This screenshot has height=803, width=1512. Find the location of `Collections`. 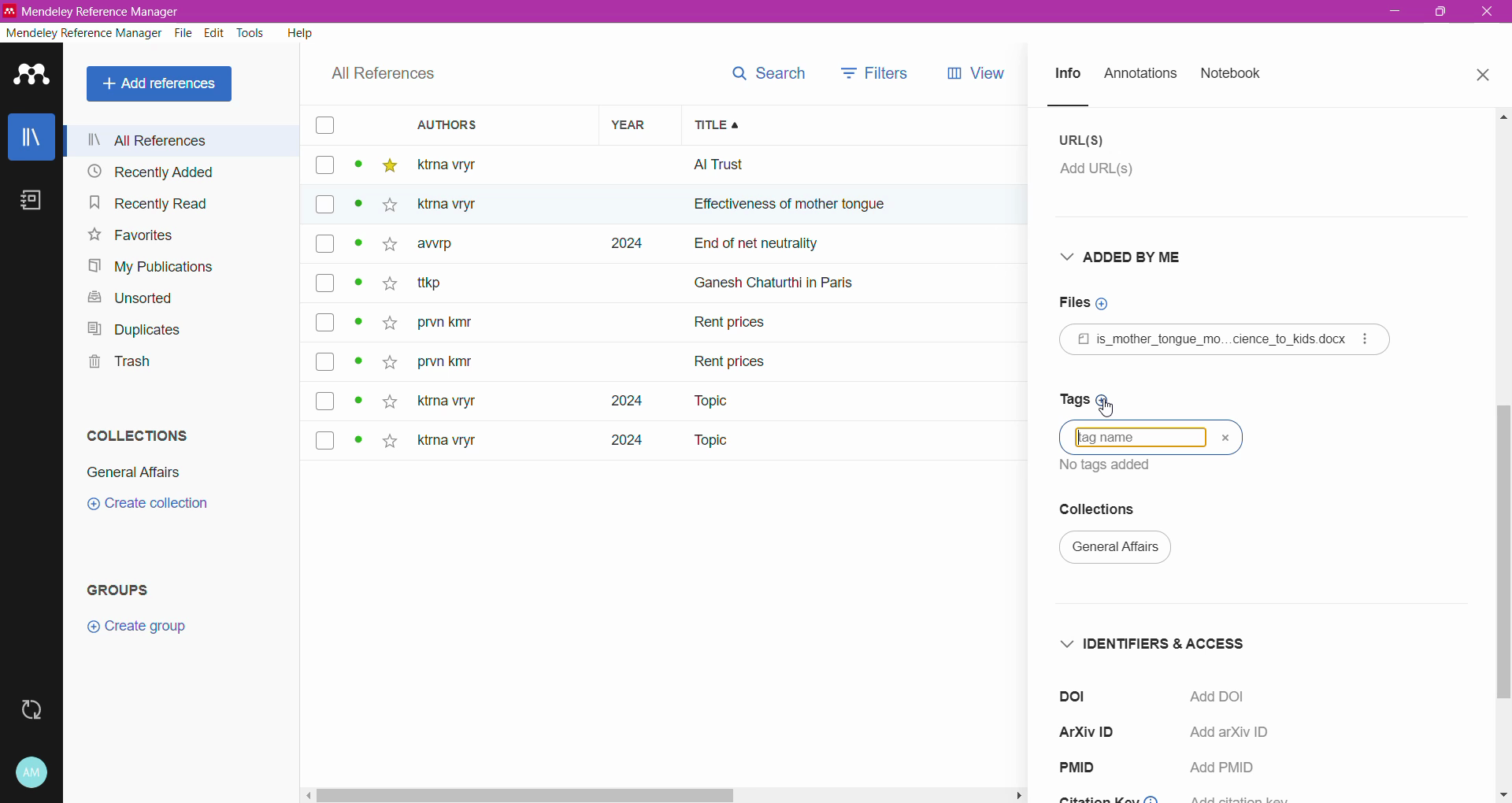

Collections is located at coordinates (139, 435).